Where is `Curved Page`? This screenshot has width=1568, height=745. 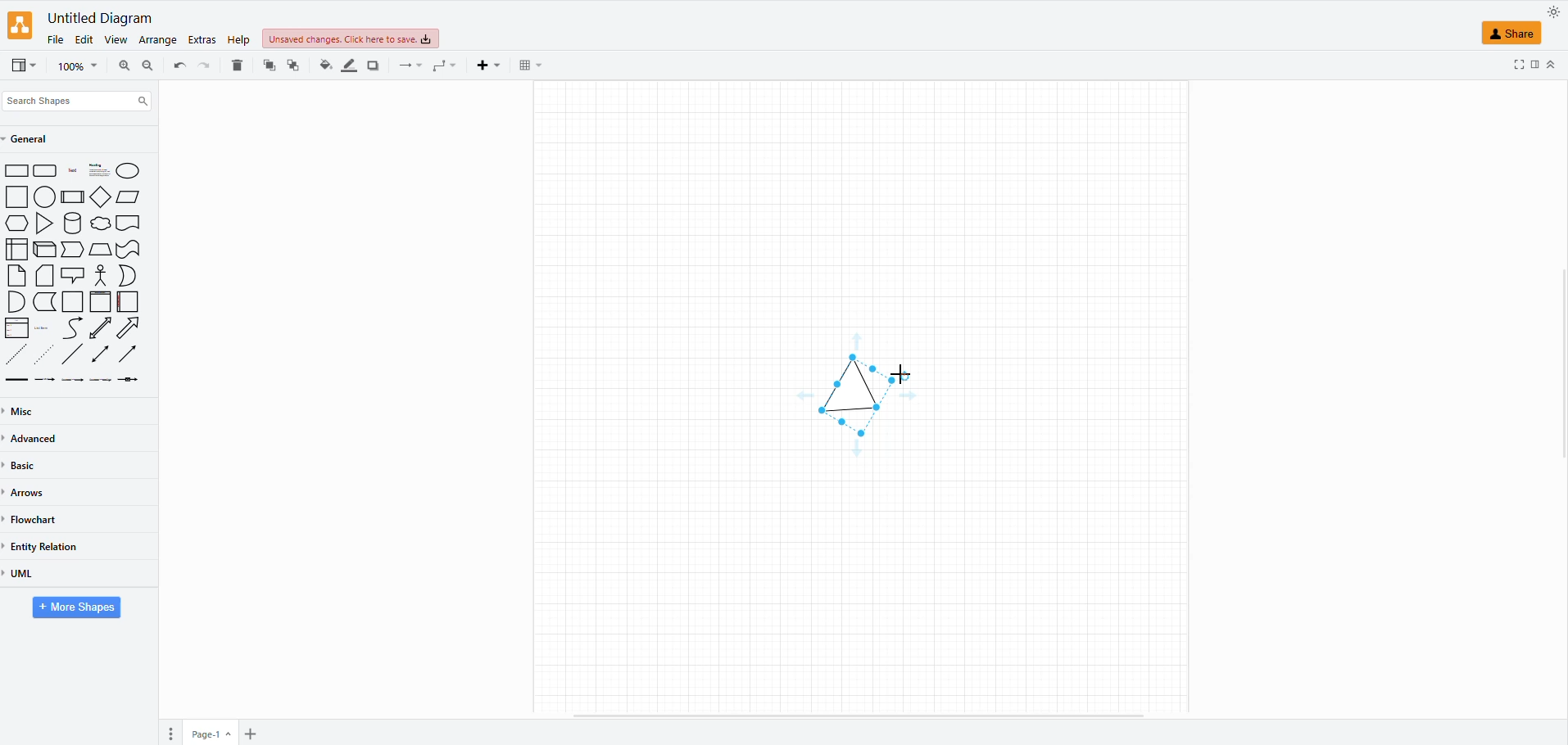
Curved Page is located at coordinates (45, 302).